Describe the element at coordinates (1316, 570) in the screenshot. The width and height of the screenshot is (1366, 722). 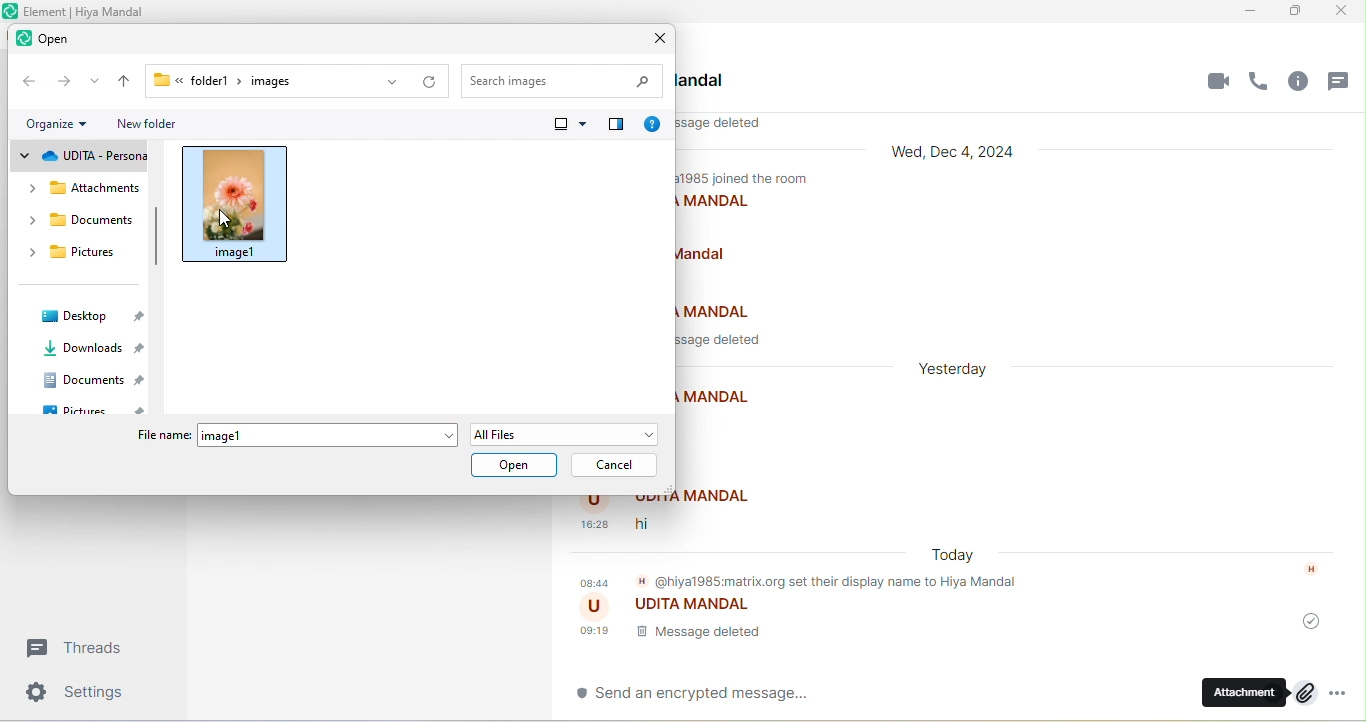
I see `h` at that location.